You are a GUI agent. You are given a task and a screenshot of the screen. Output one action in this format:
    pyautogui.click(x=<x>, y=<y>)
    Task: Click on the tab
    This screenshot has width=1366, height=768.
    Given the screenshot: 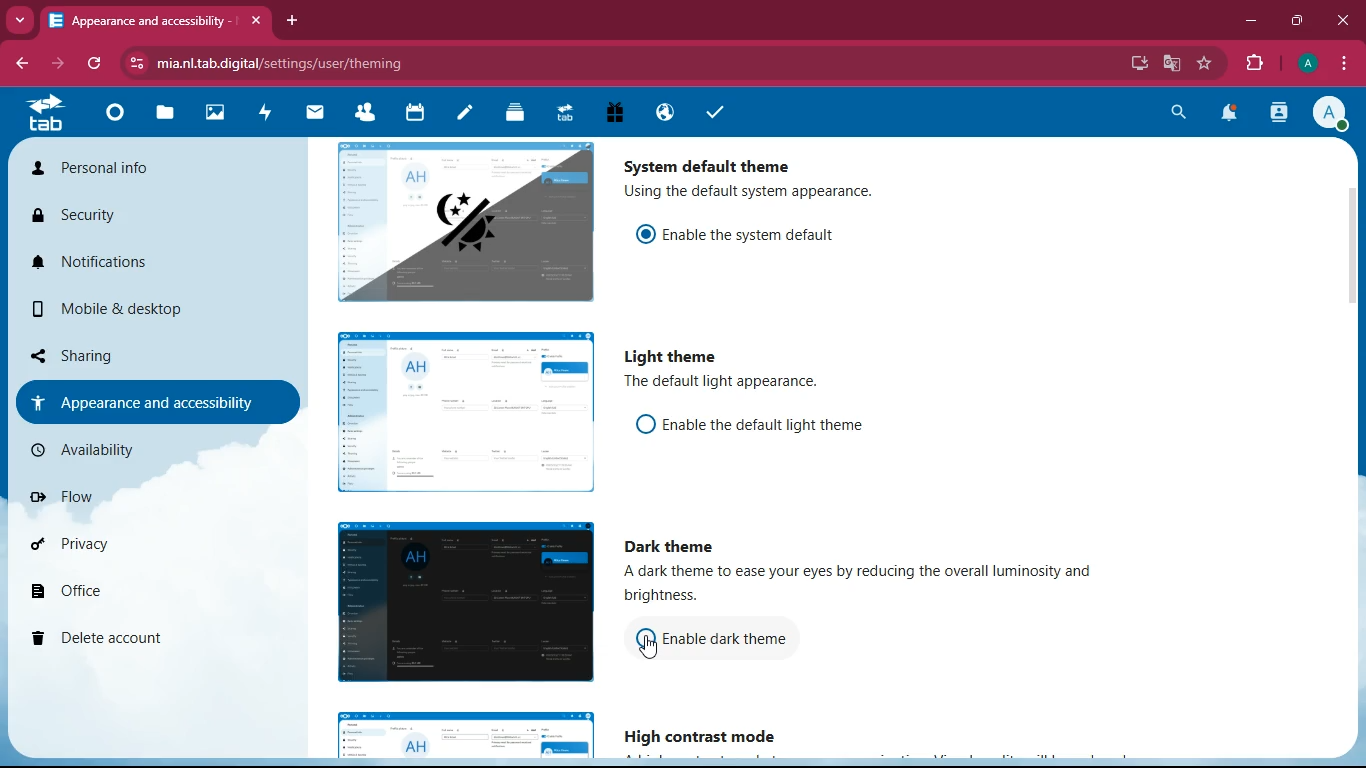 What is the action you would take?
    pyautogui.click(x=563, y=111)
    